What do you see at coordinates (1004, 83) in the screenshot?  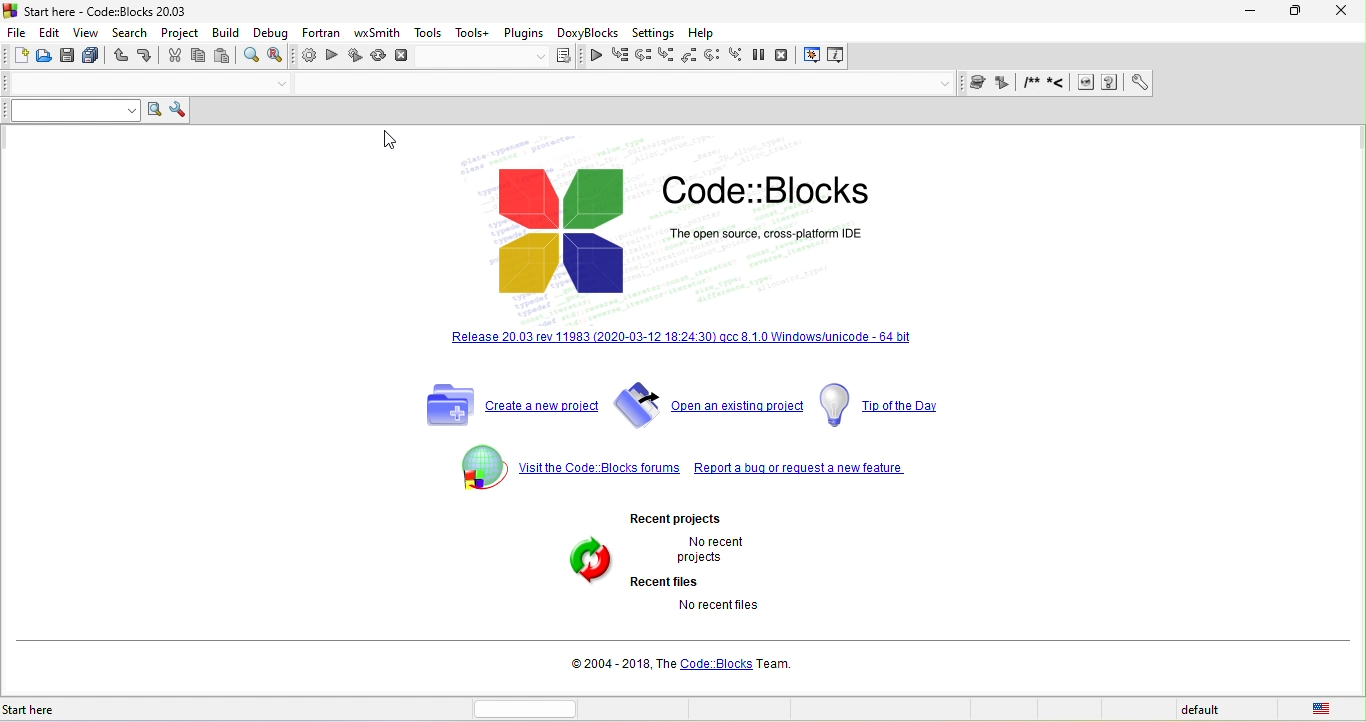 I see `jump forward` at bounding box center [1004, 83].